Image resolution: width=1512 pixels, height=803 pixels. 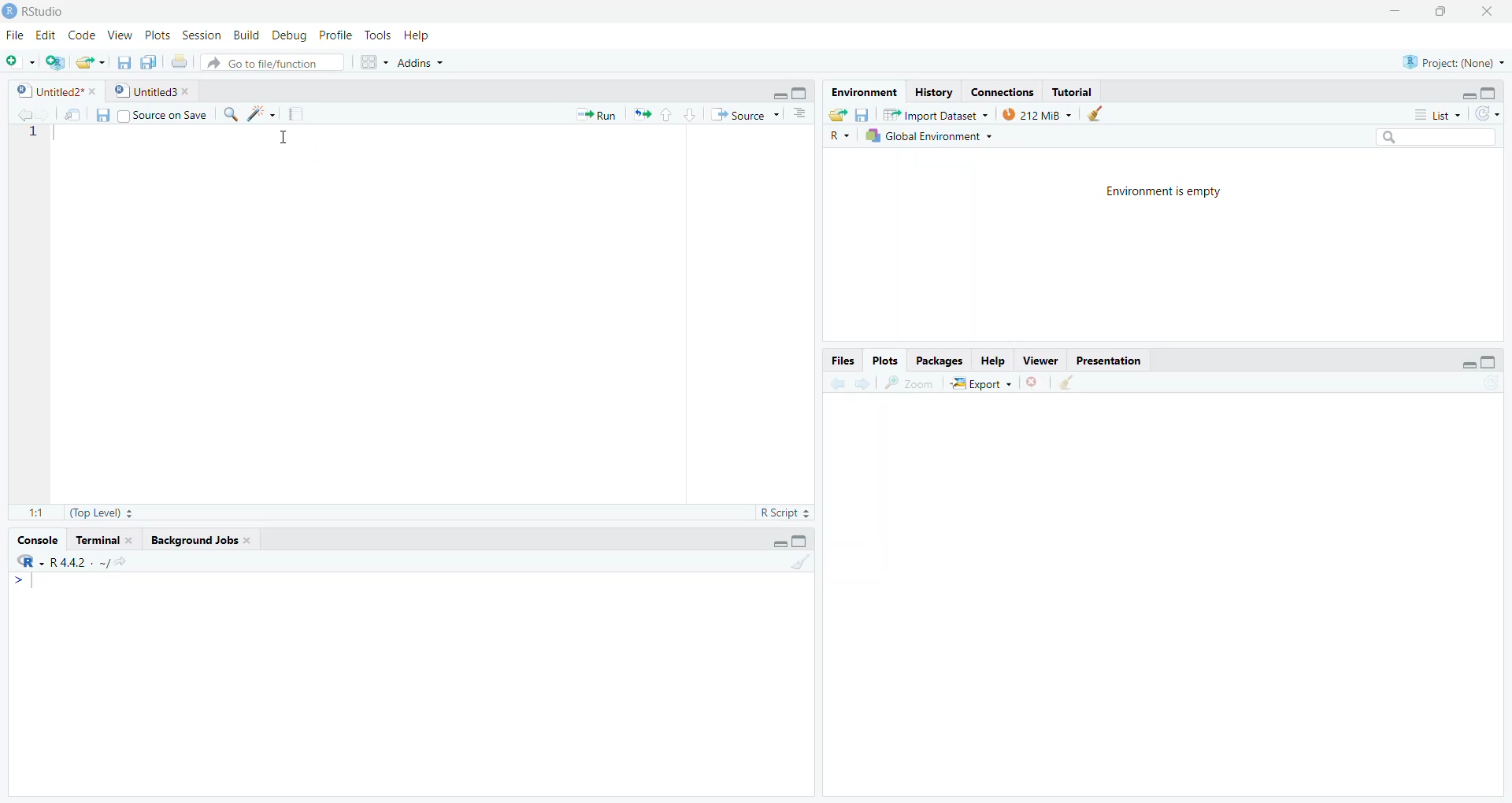 I want to click on Search bar, so click(x=1425, y=138).